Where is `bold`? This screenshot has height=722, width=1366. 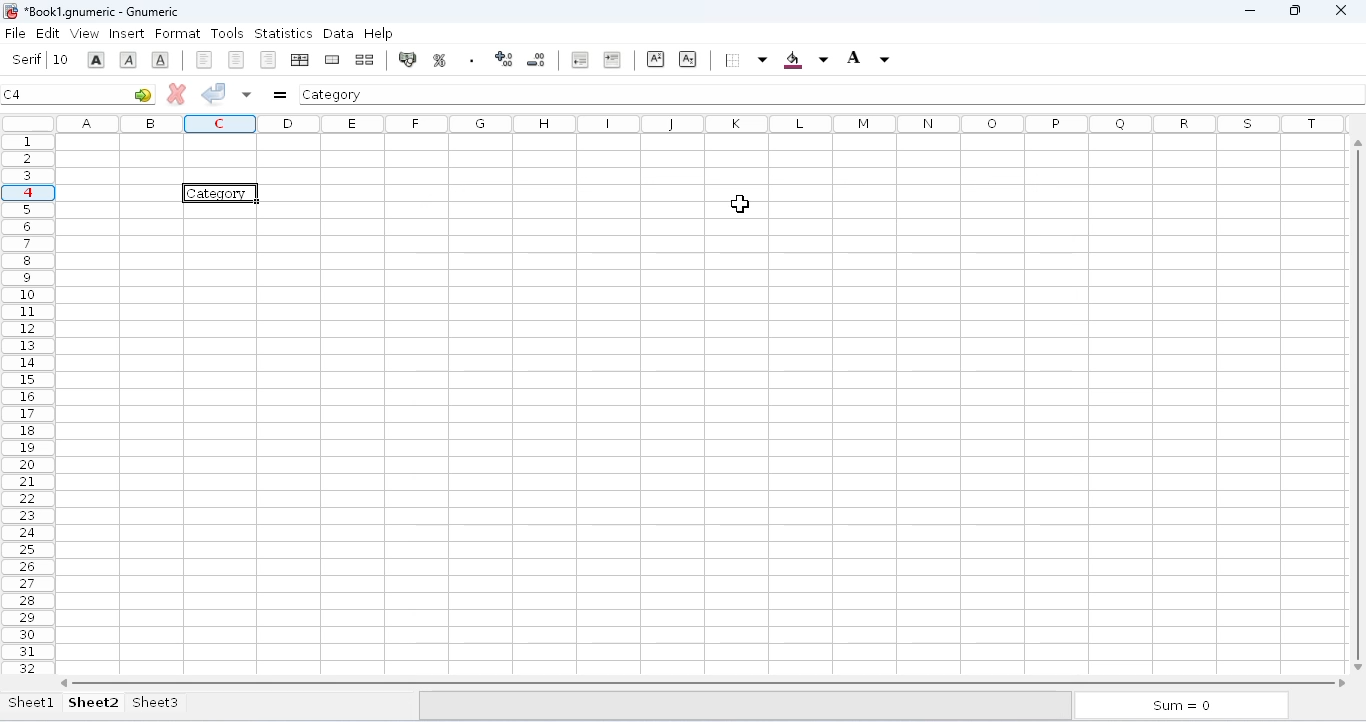 bold is located at coordinates (128, 60).